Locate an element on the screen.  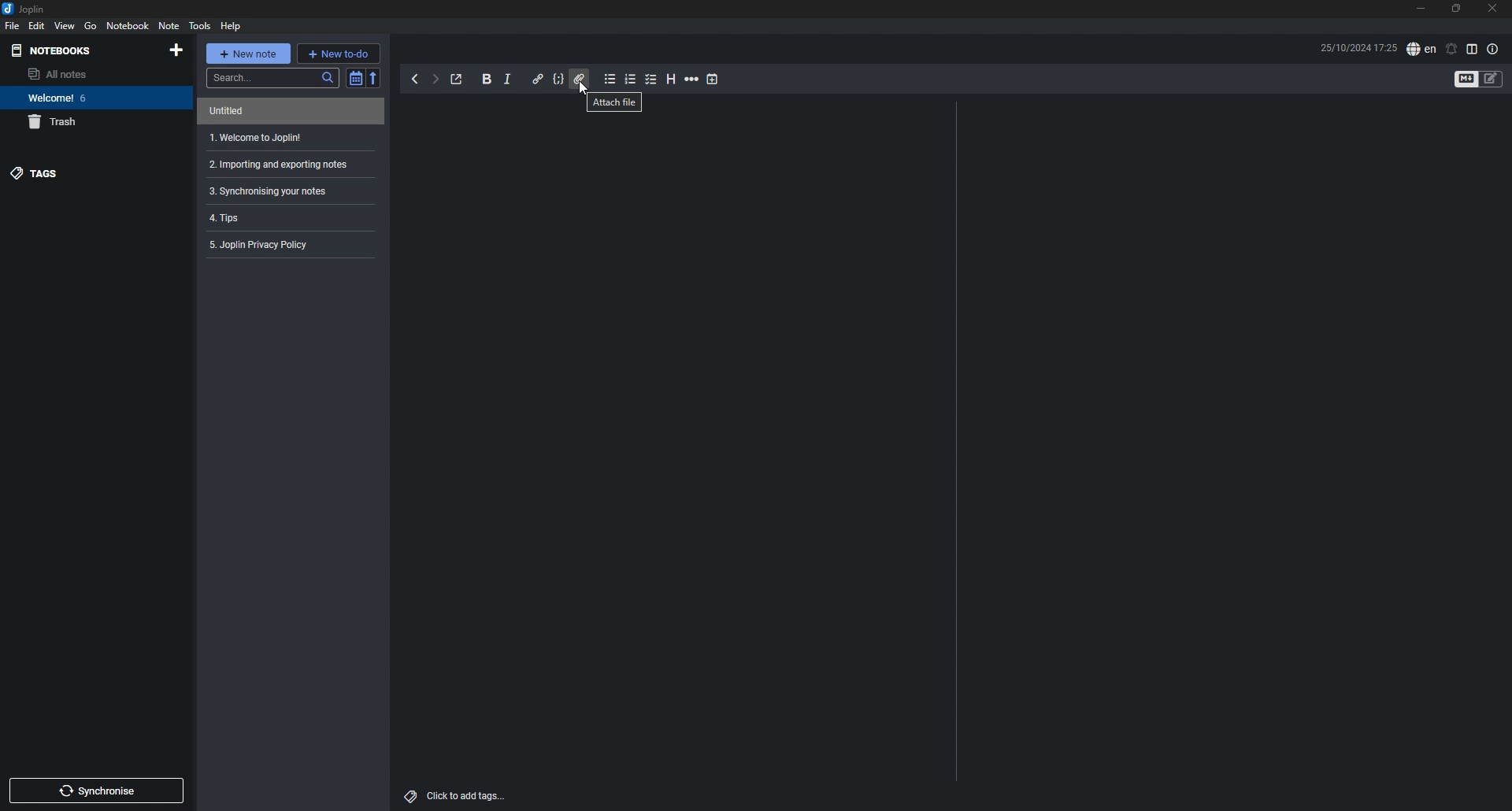
click to add tags is located at coordinates (458, 796).